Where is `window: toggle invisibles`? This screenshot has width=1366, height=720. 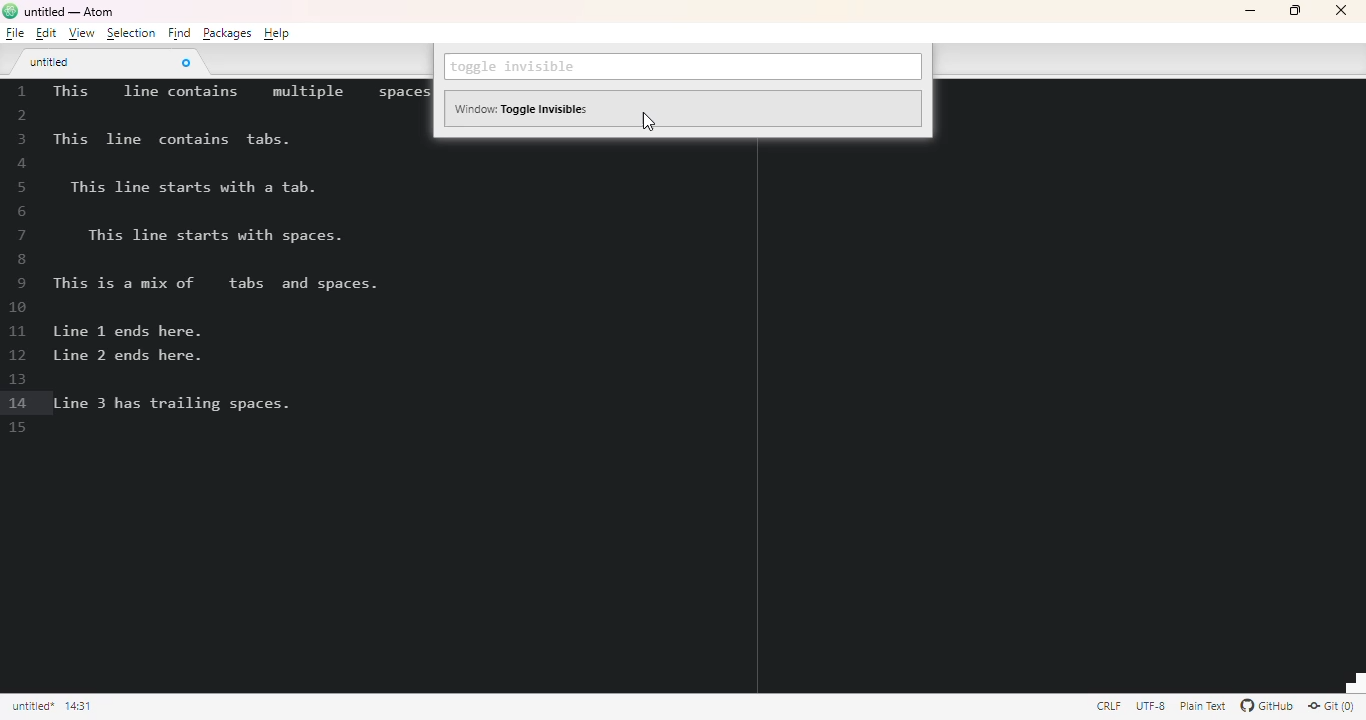
window: toggle invisibles is located at coordinates (524, 108).